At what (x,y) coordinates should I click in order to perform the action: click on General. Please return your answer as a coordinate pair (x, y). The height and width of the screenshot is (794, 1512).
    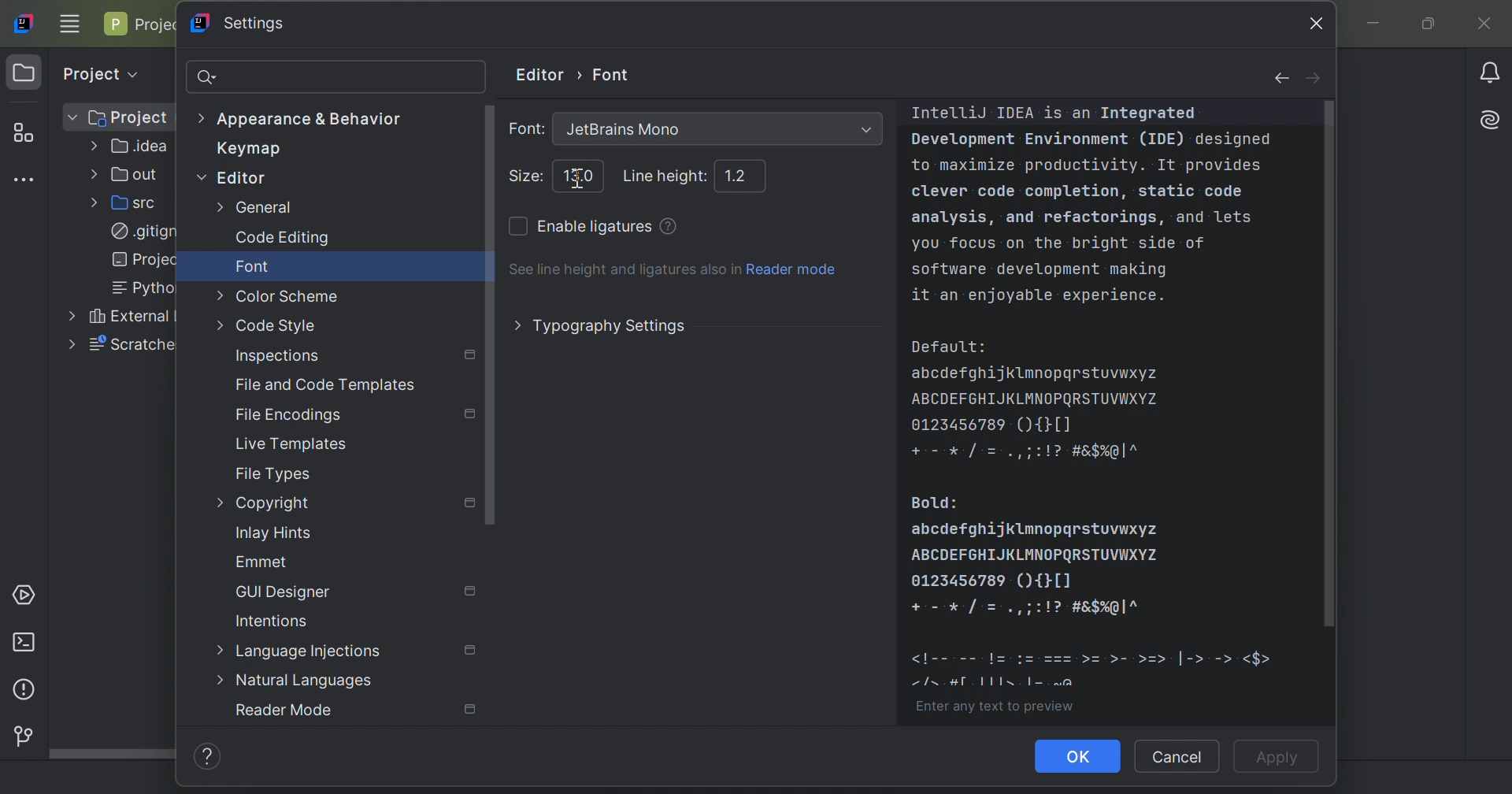
    Looking at the image, I should click on (255, 207).